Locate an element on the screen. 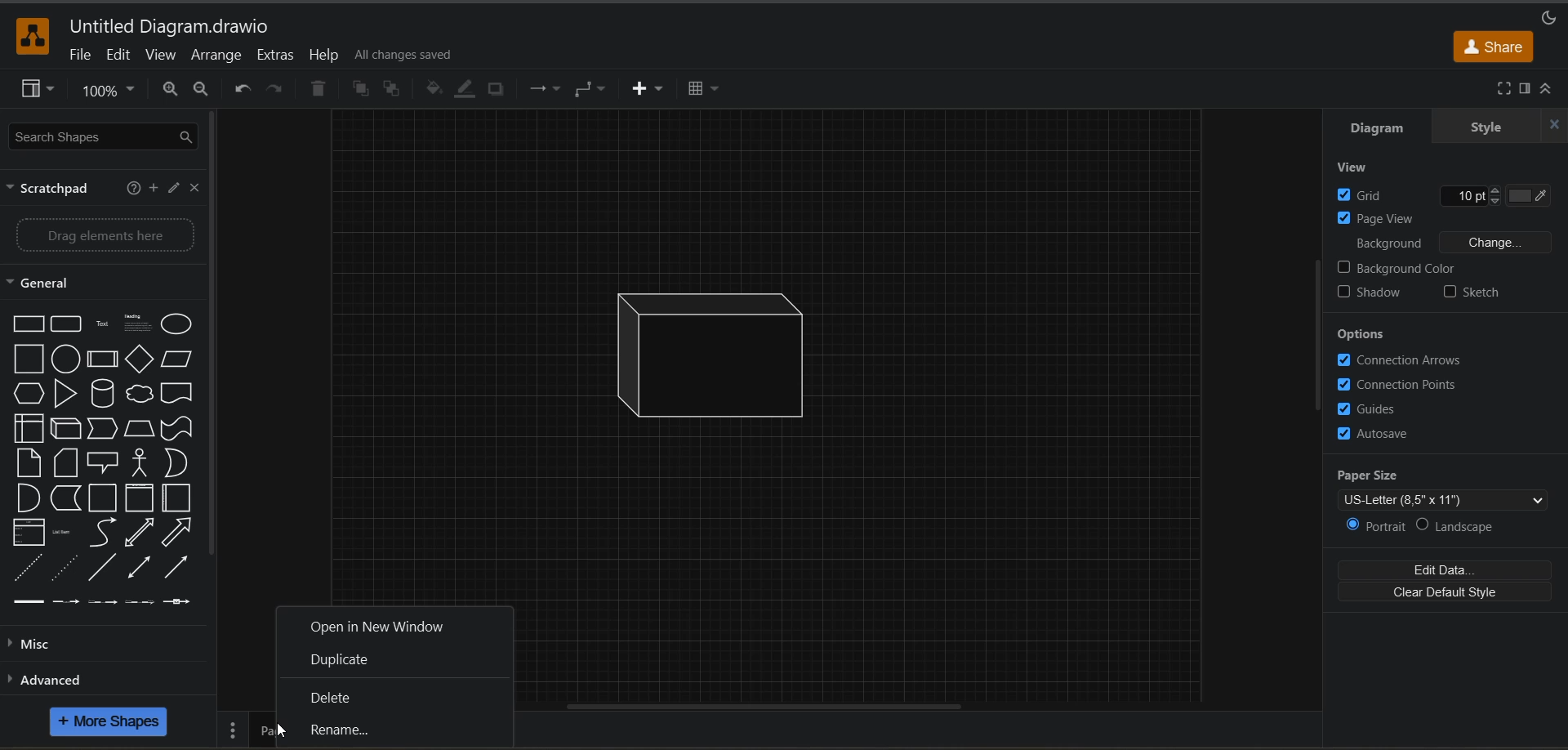  portrait is located at coordinates (1376, 525).